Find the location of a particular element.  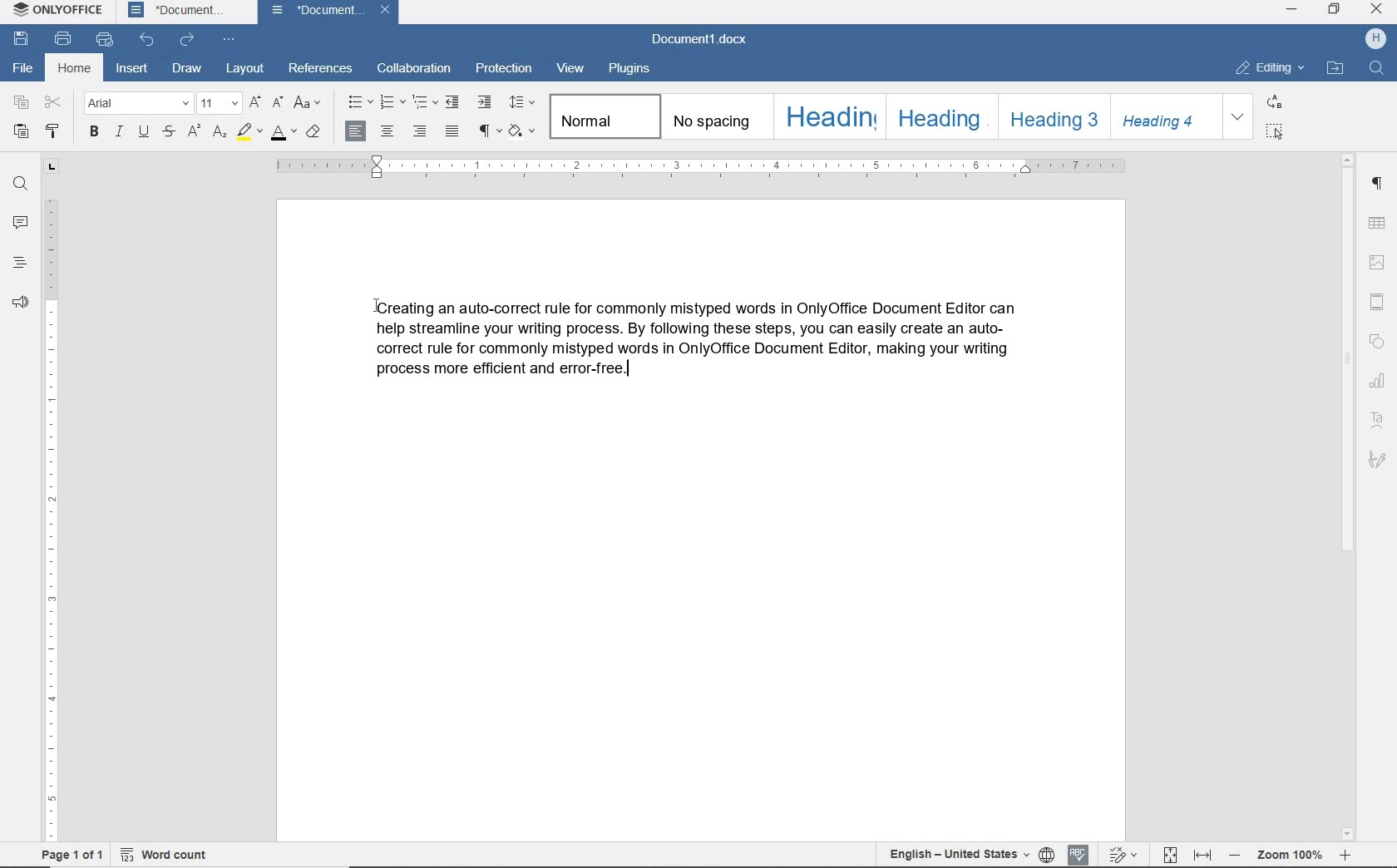

table is located at coordinates (1379, 223).